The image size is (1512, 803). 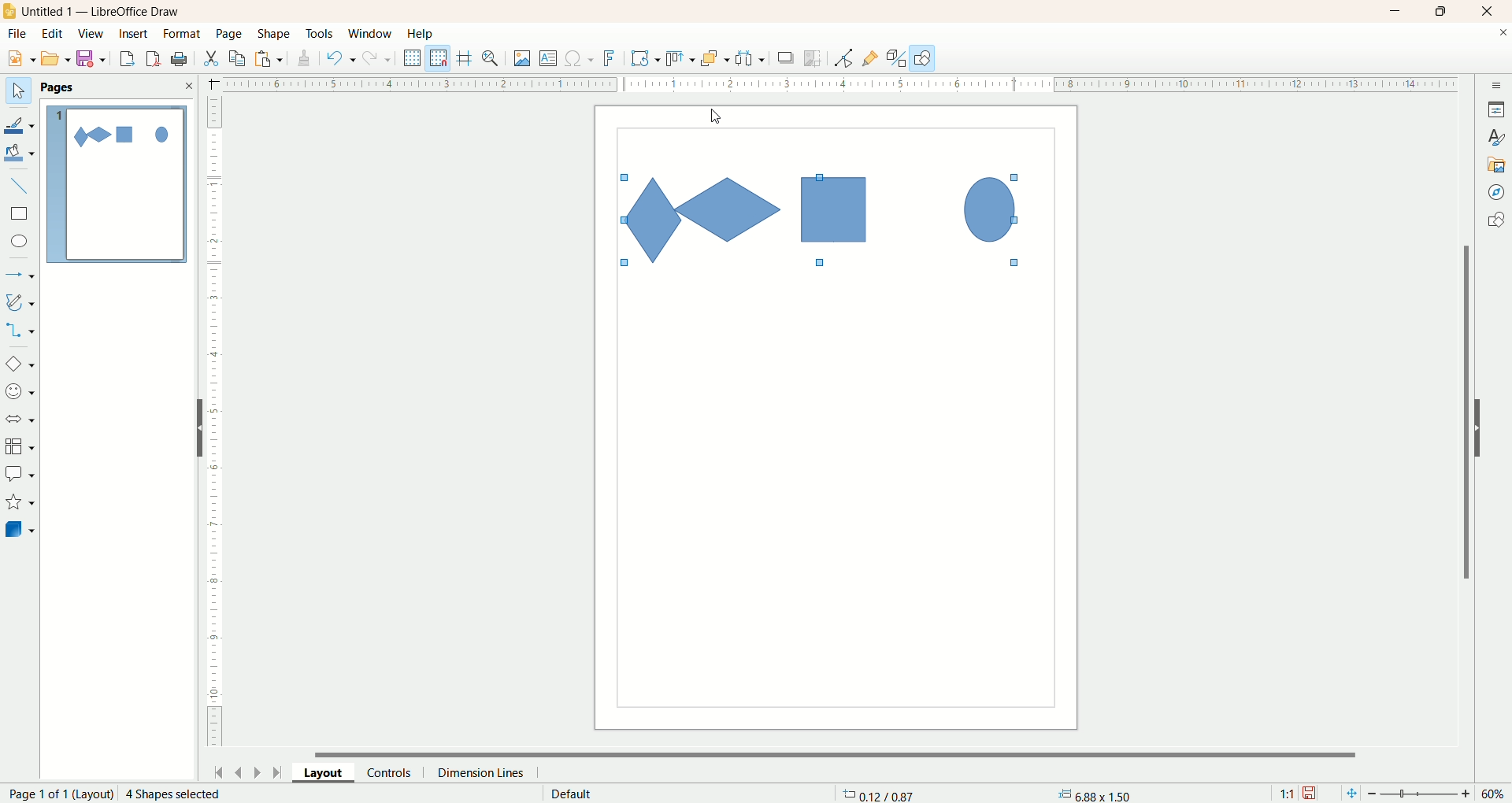 I want to click on snap to grid, so click(x=442, y=58).